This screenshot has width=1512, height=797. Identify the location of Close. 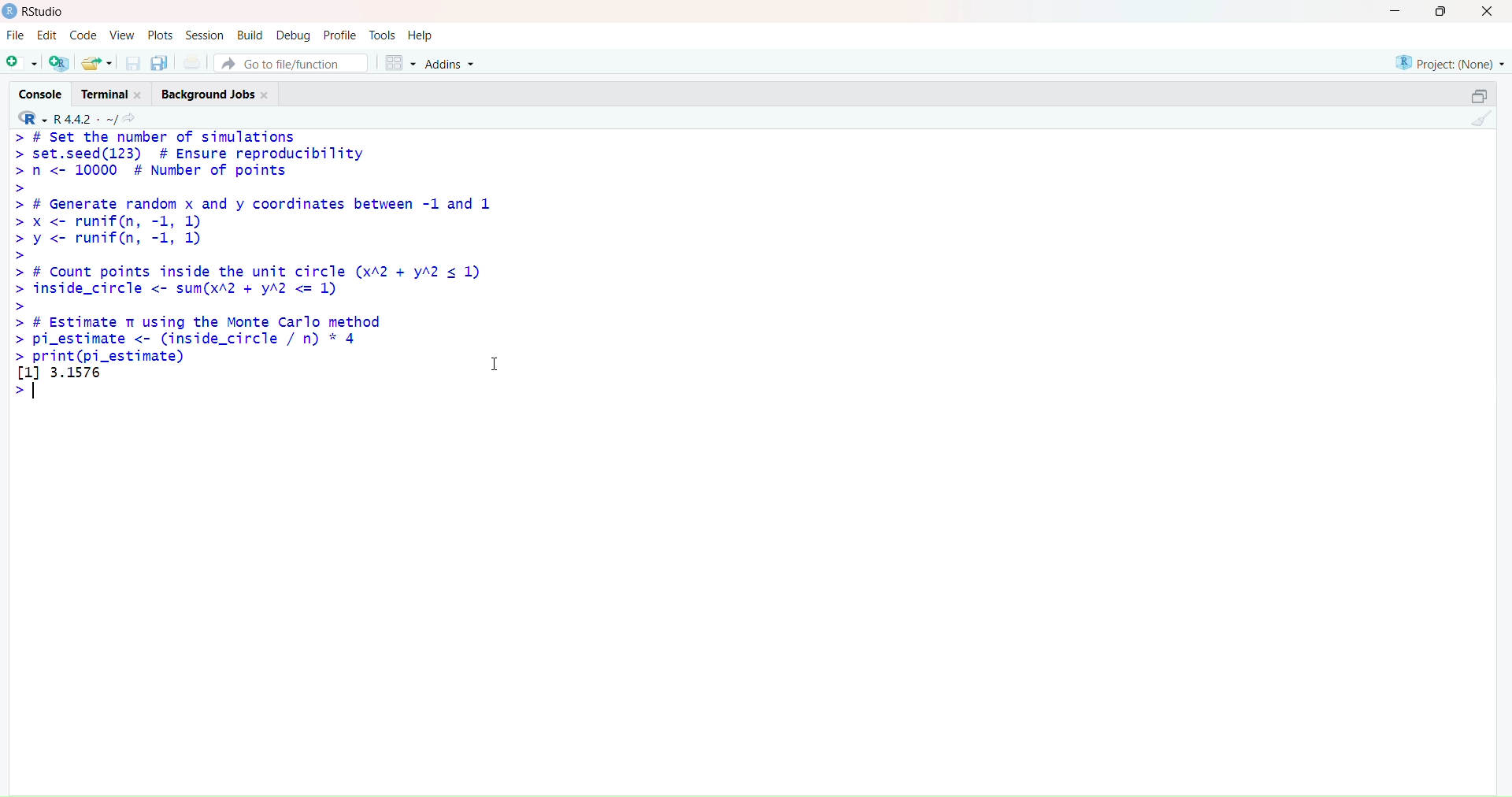
(1487, 12).